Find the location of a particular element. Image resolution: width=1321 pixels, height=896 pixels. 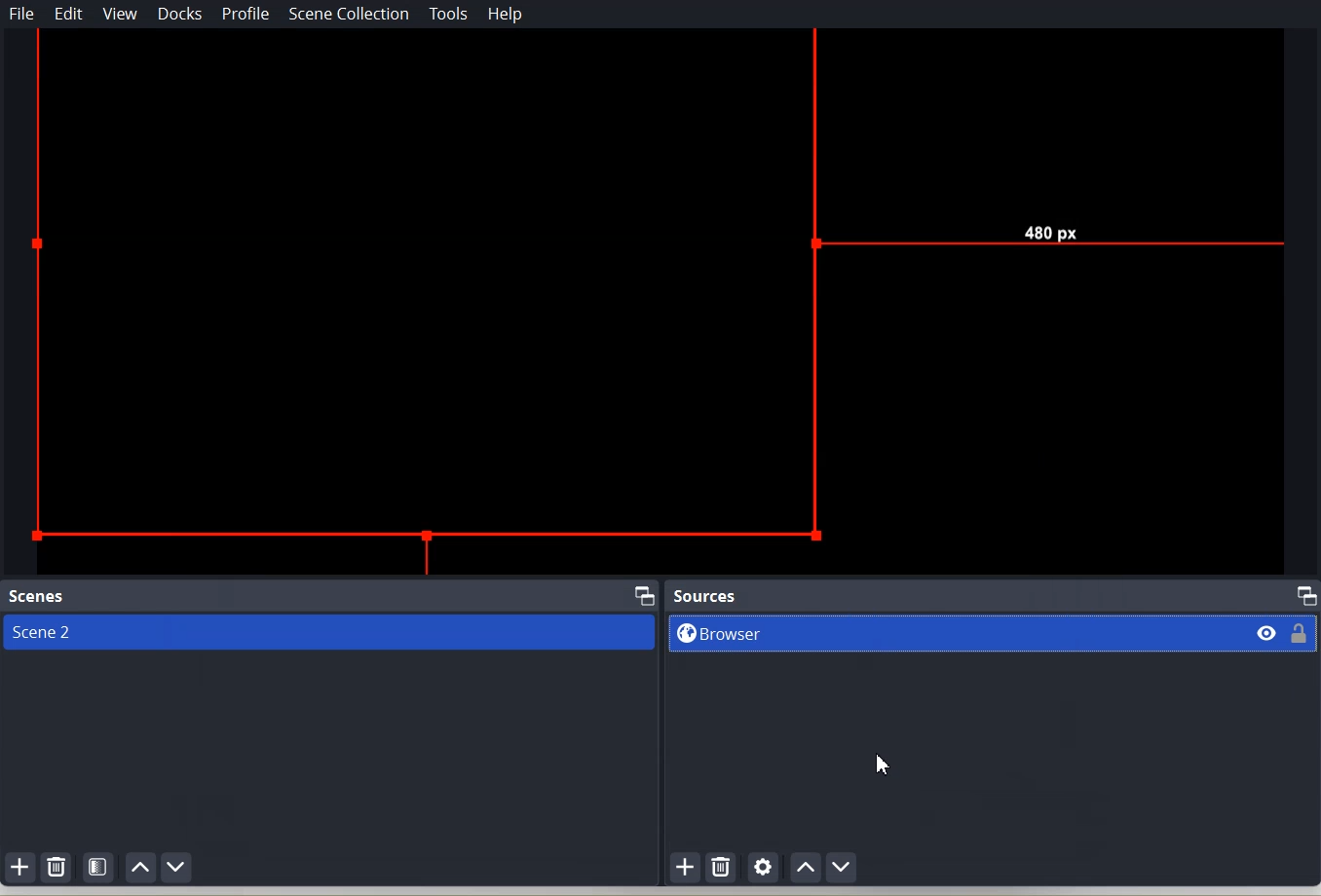

Add Scene is located at coordinates (19, 866).